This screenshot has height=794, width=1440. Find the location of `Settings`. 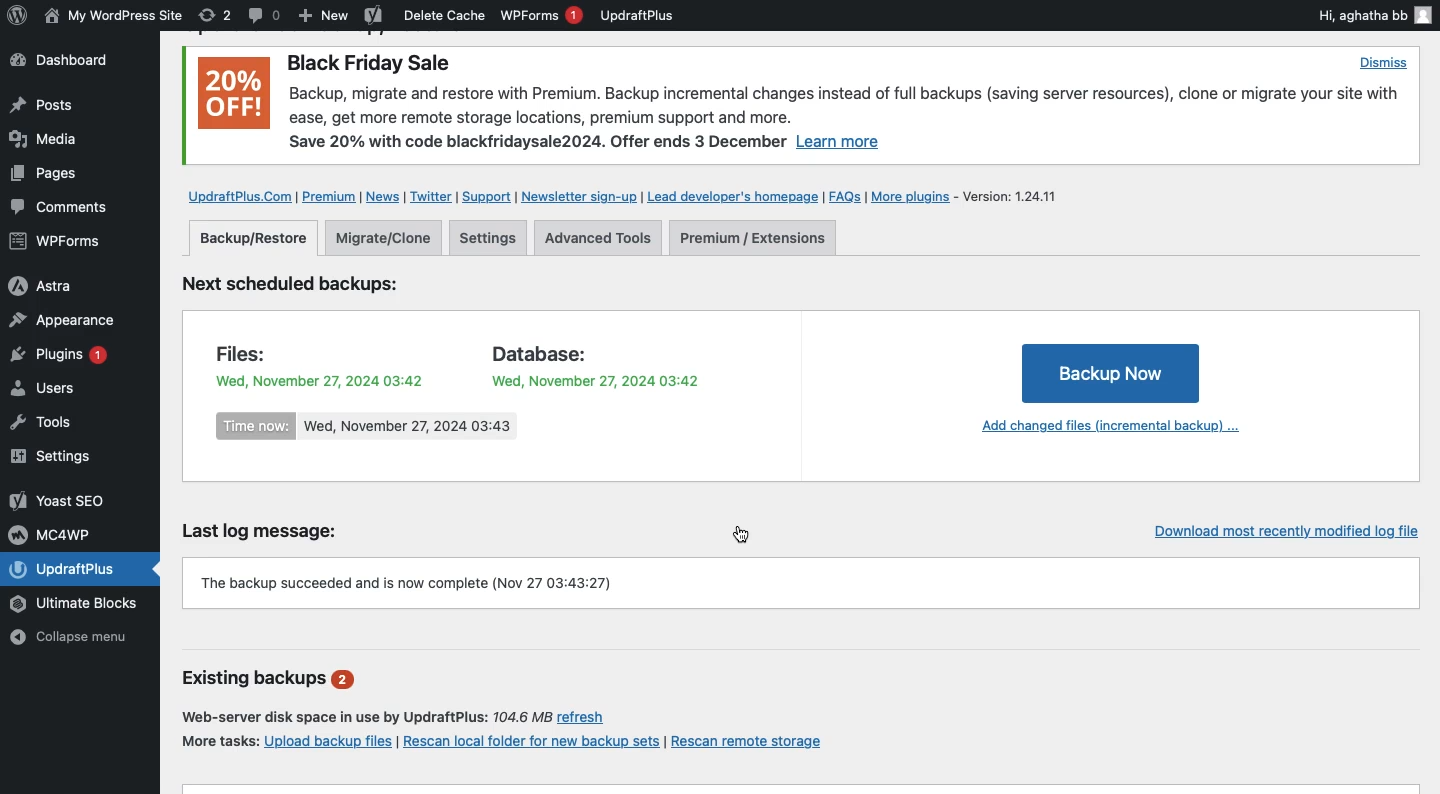

Settings is located at coordinates (57, 457).